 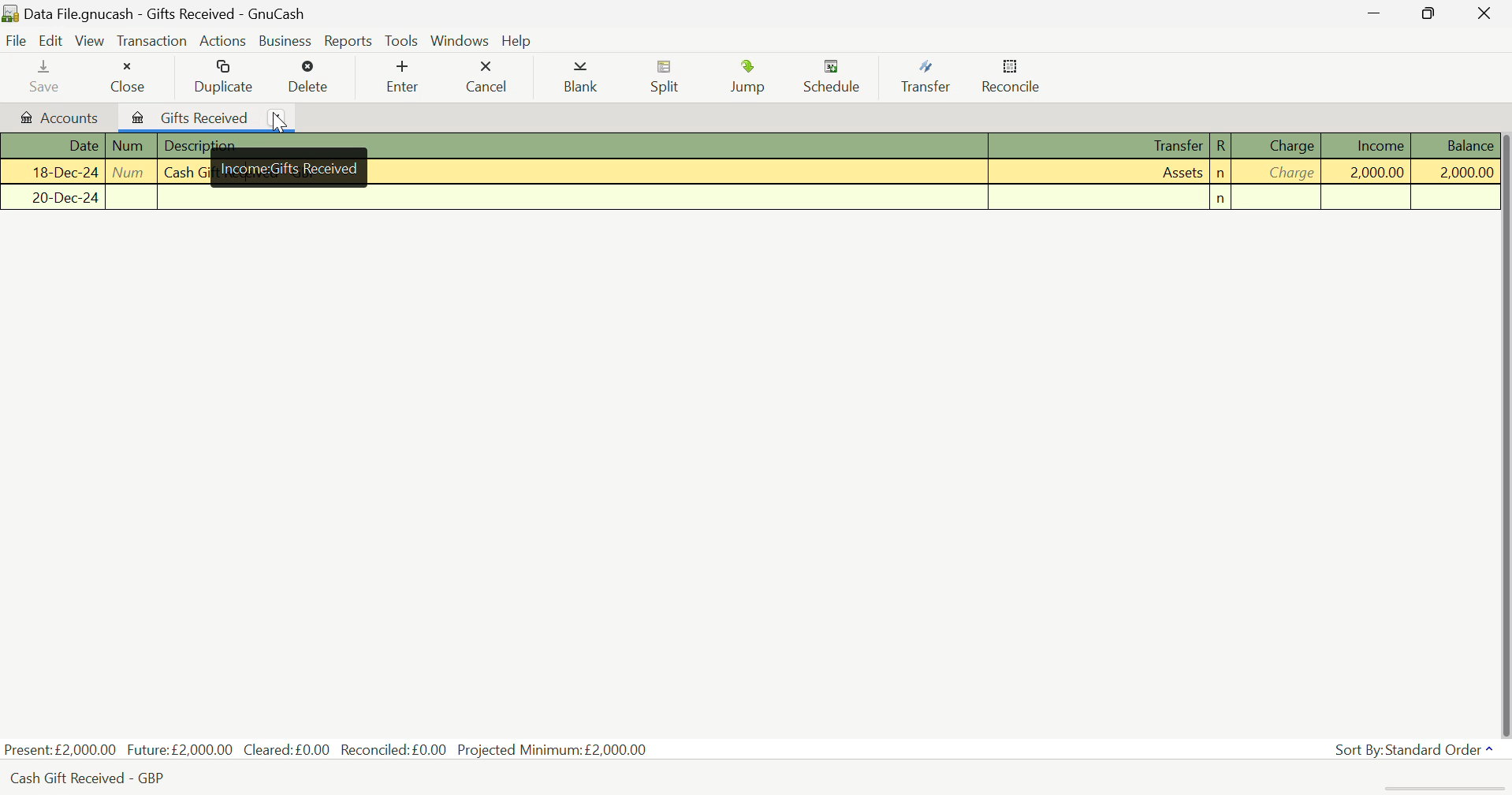 I want to click on Schedule, so click(x=836, y=77).